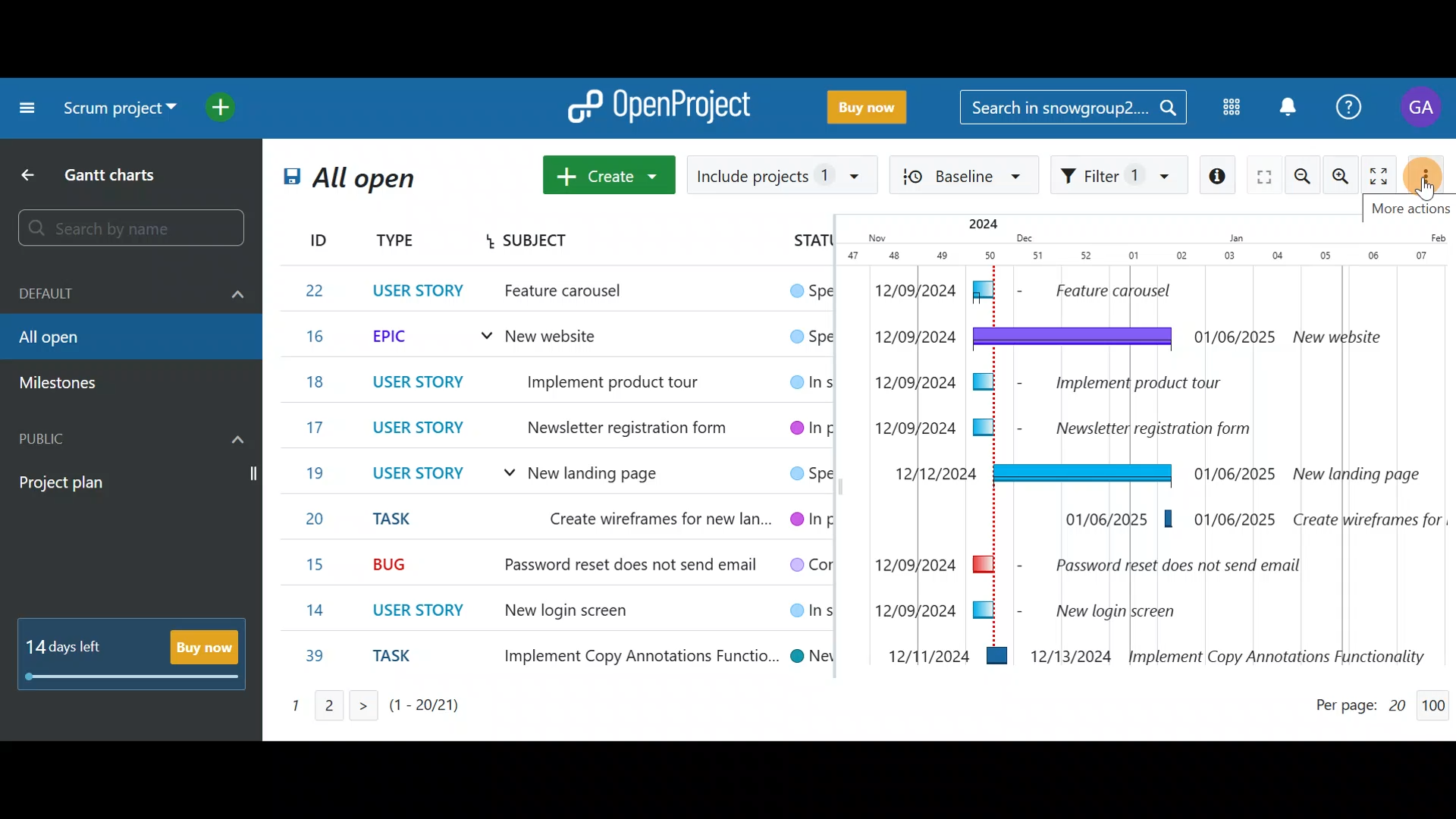  What do you see at coordinates (1144, 443) in the screenshot?
I see `Gantt chart` at bounding box center [1144, 443].